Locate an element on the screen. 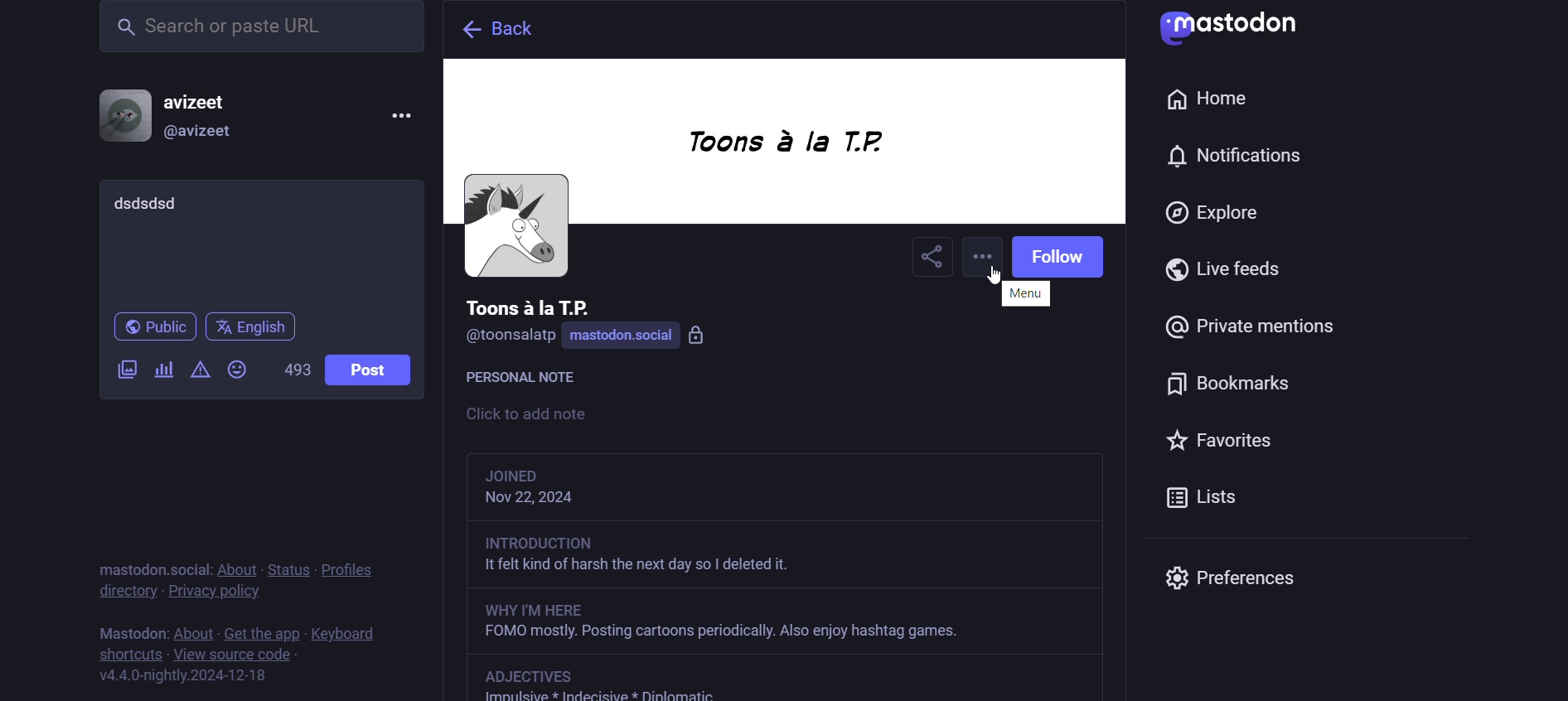 The image size is (1568, 701). text is located at coordinates (530, 380).